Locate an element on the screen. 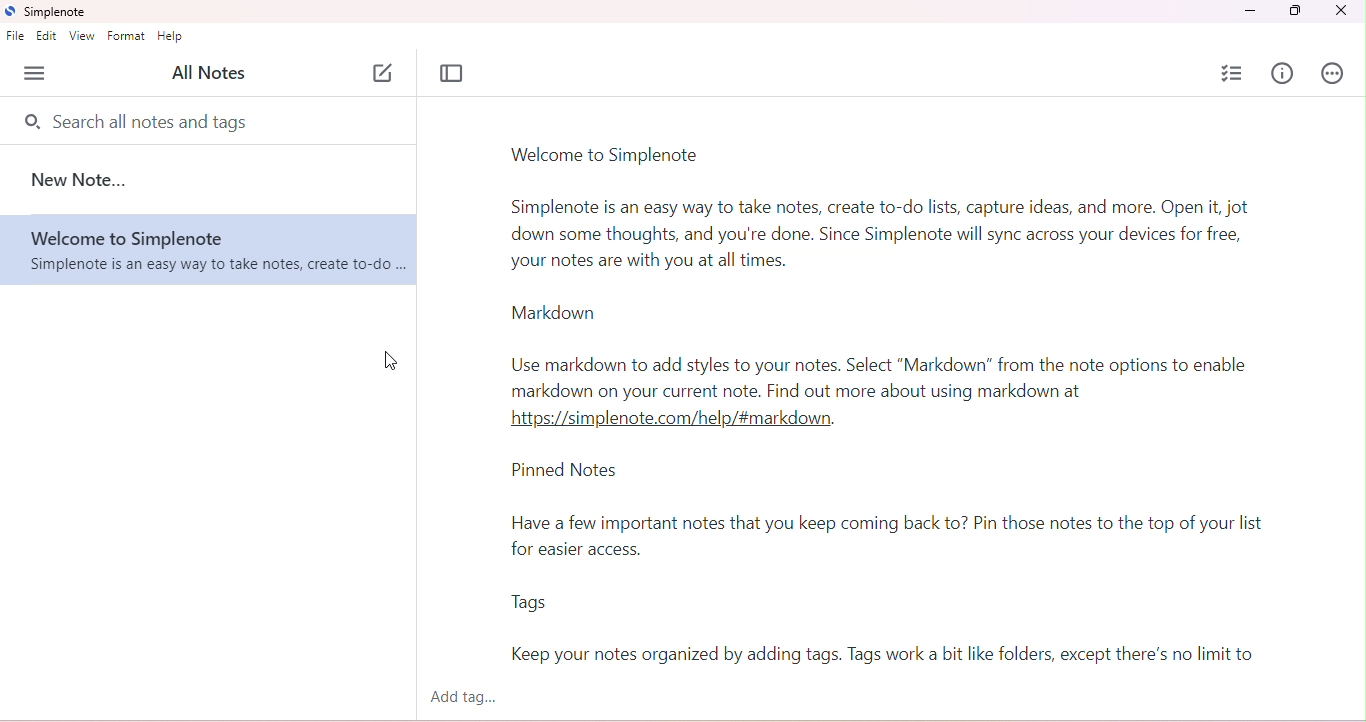 The width and height of the screenshot is (1366, 722). tags is located at coordinates (529, 604).